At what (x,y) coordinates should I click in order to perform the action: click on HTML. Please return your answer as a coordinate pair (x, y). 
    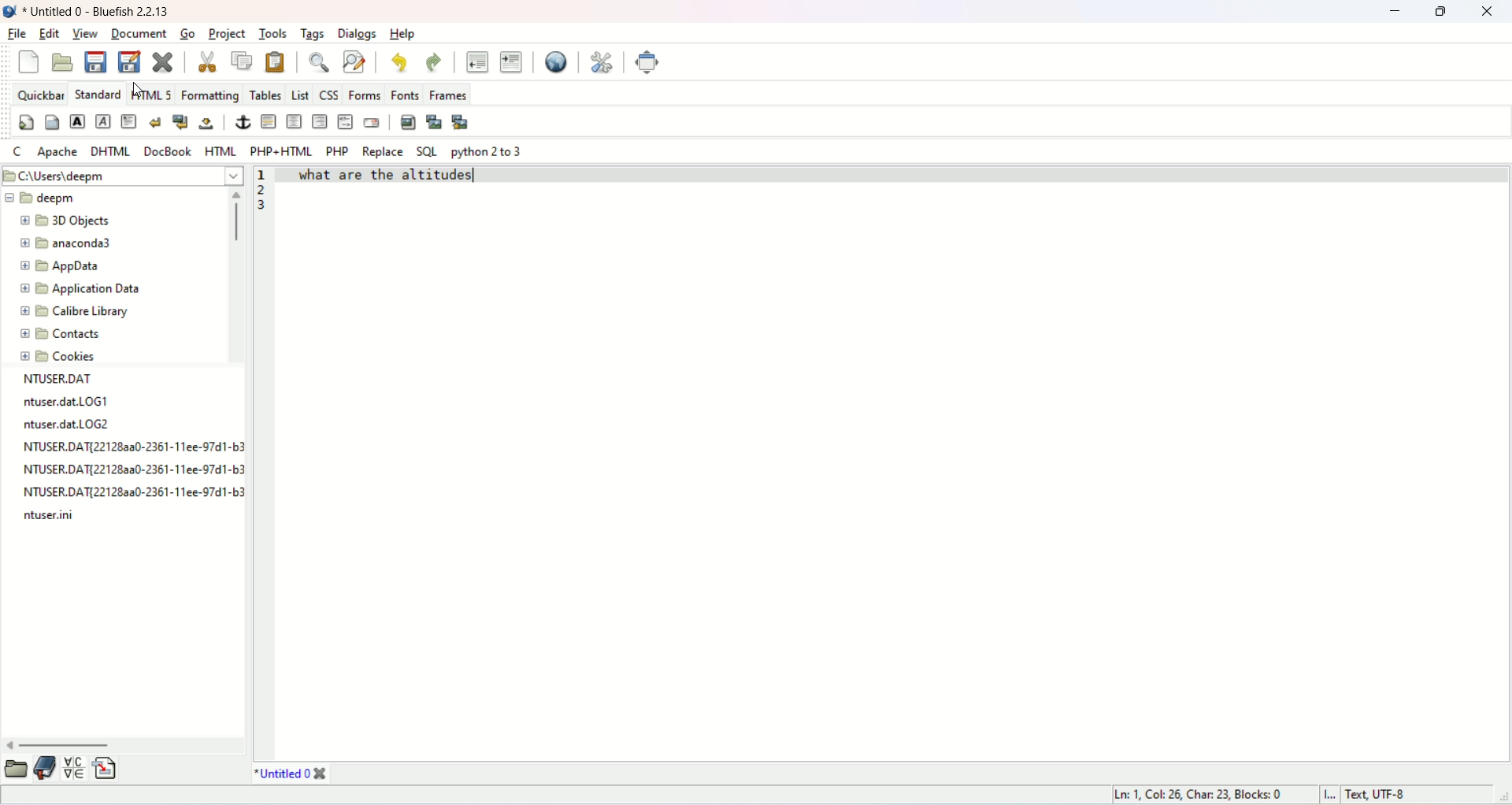
    Looking at the image, I should click on (219, 150).